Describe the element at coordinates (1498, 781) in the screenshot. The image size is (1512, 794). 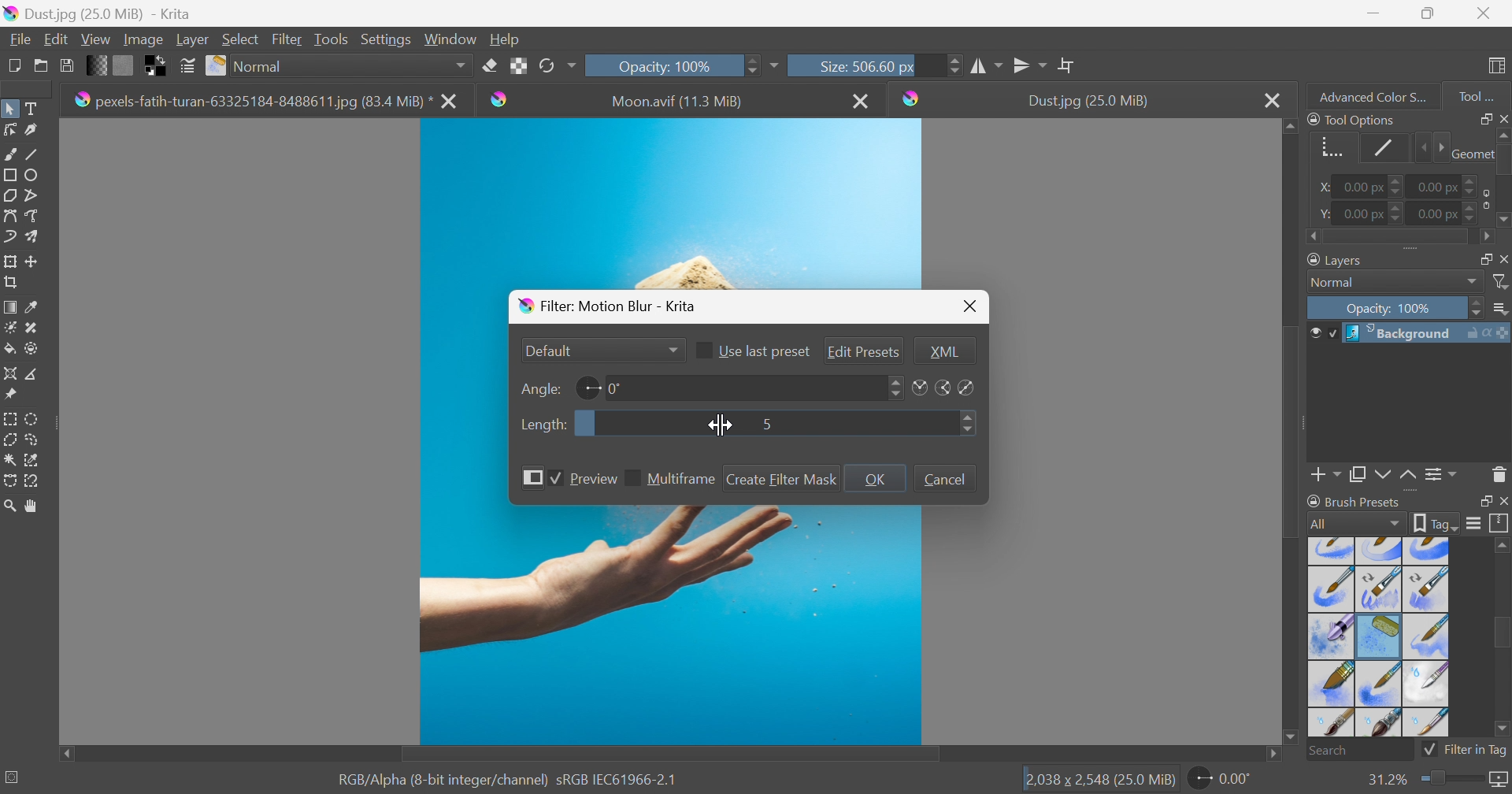
I see `Map the displayed canvas size between pixel size or print size` at that location.